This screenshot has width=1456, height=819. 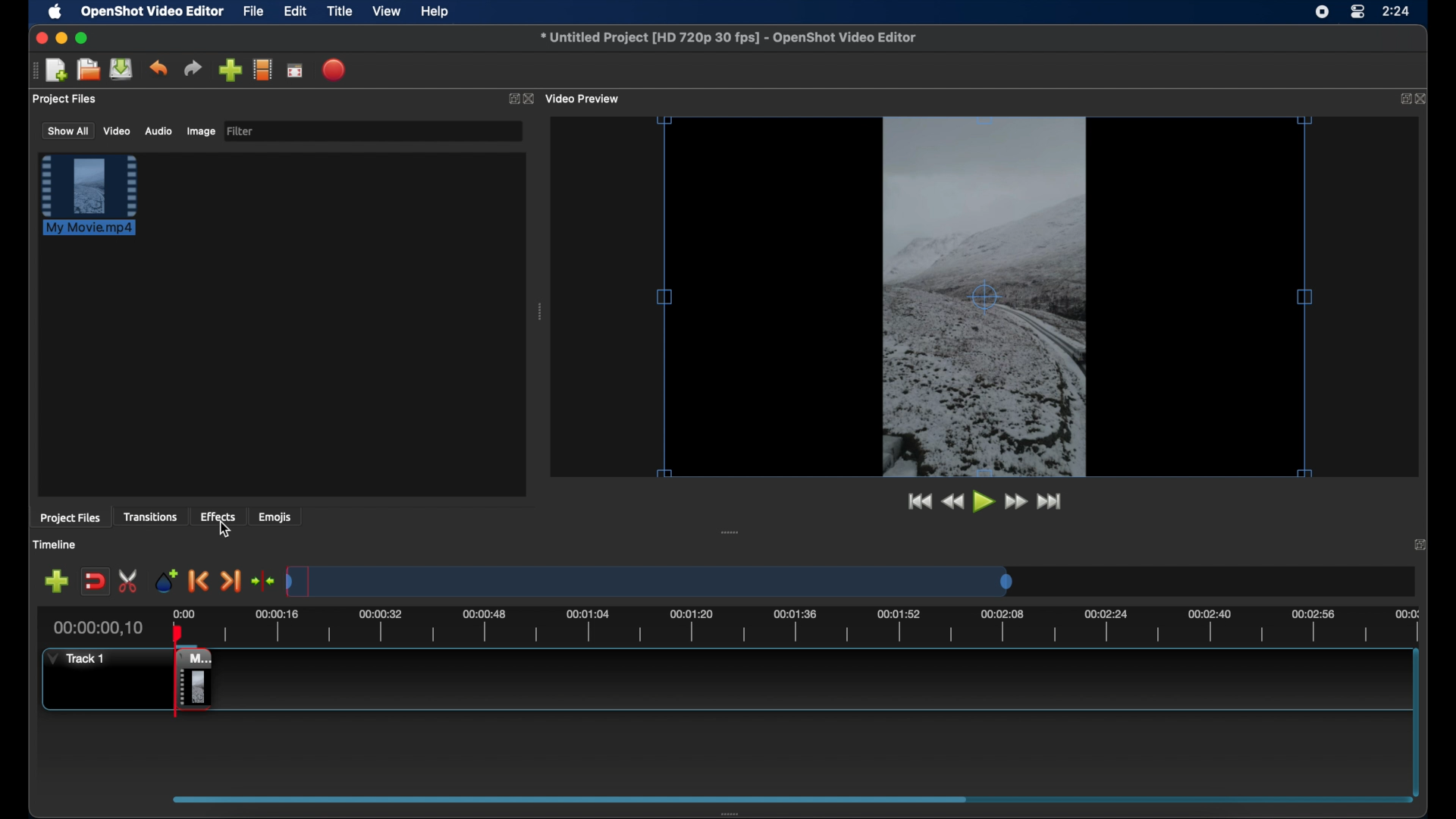 I want to click on minimize, so click(x=62, y=37).